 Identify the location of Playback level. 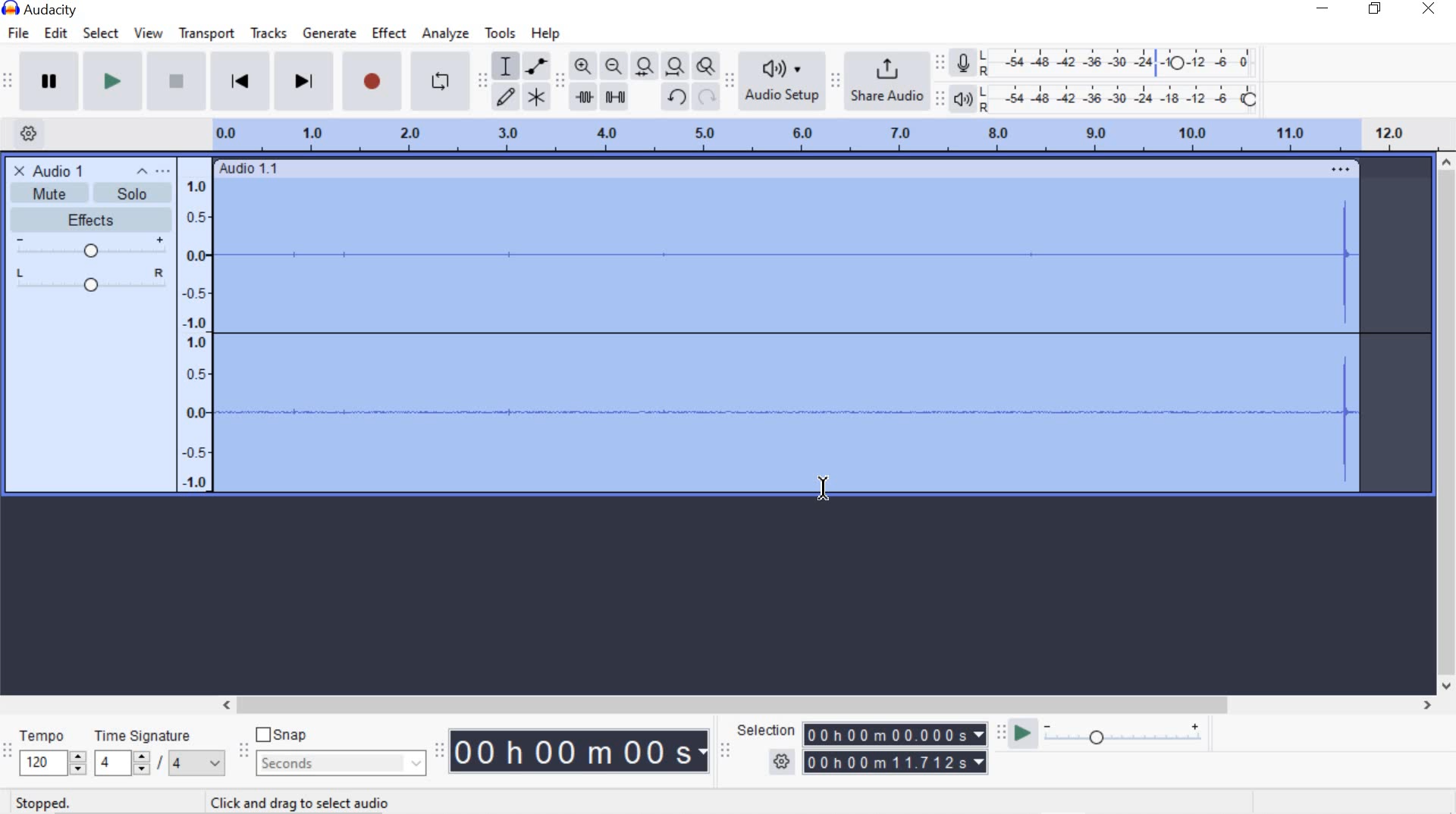
(1125, 99).